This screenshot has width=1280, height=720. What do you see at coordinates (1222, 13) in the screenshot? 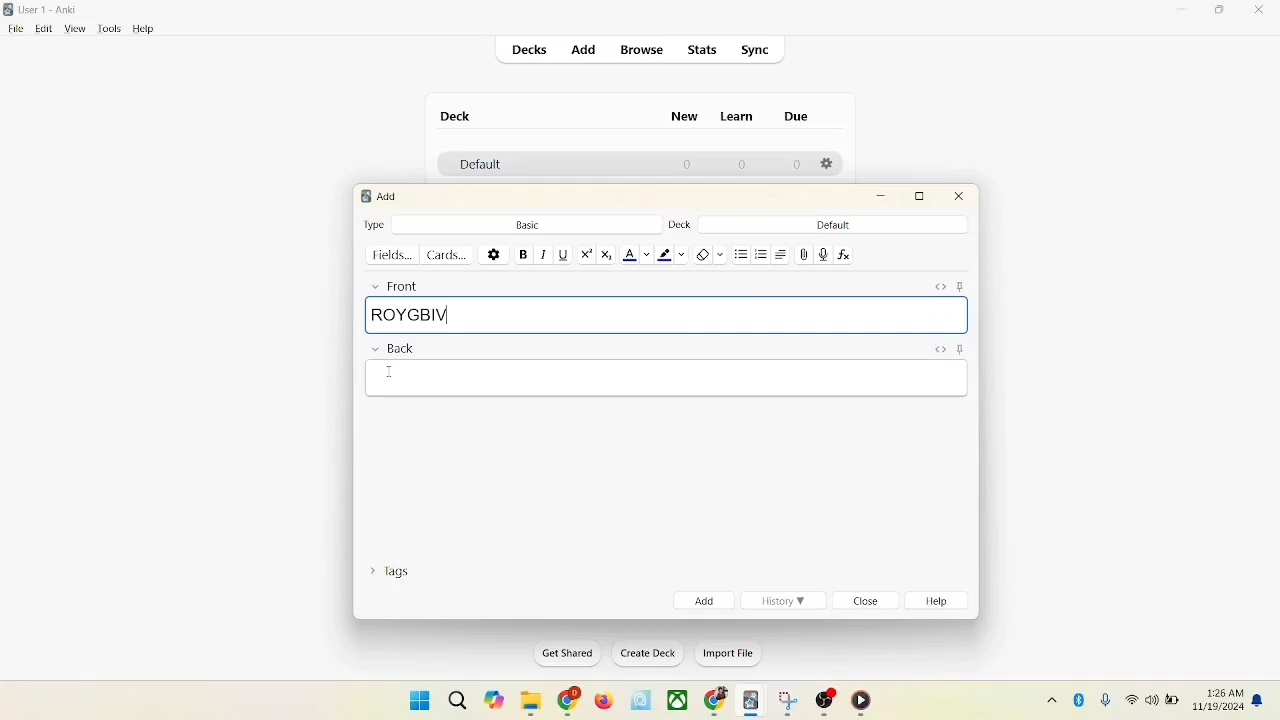
I see `maximize` at bounding box center [1222, 13].